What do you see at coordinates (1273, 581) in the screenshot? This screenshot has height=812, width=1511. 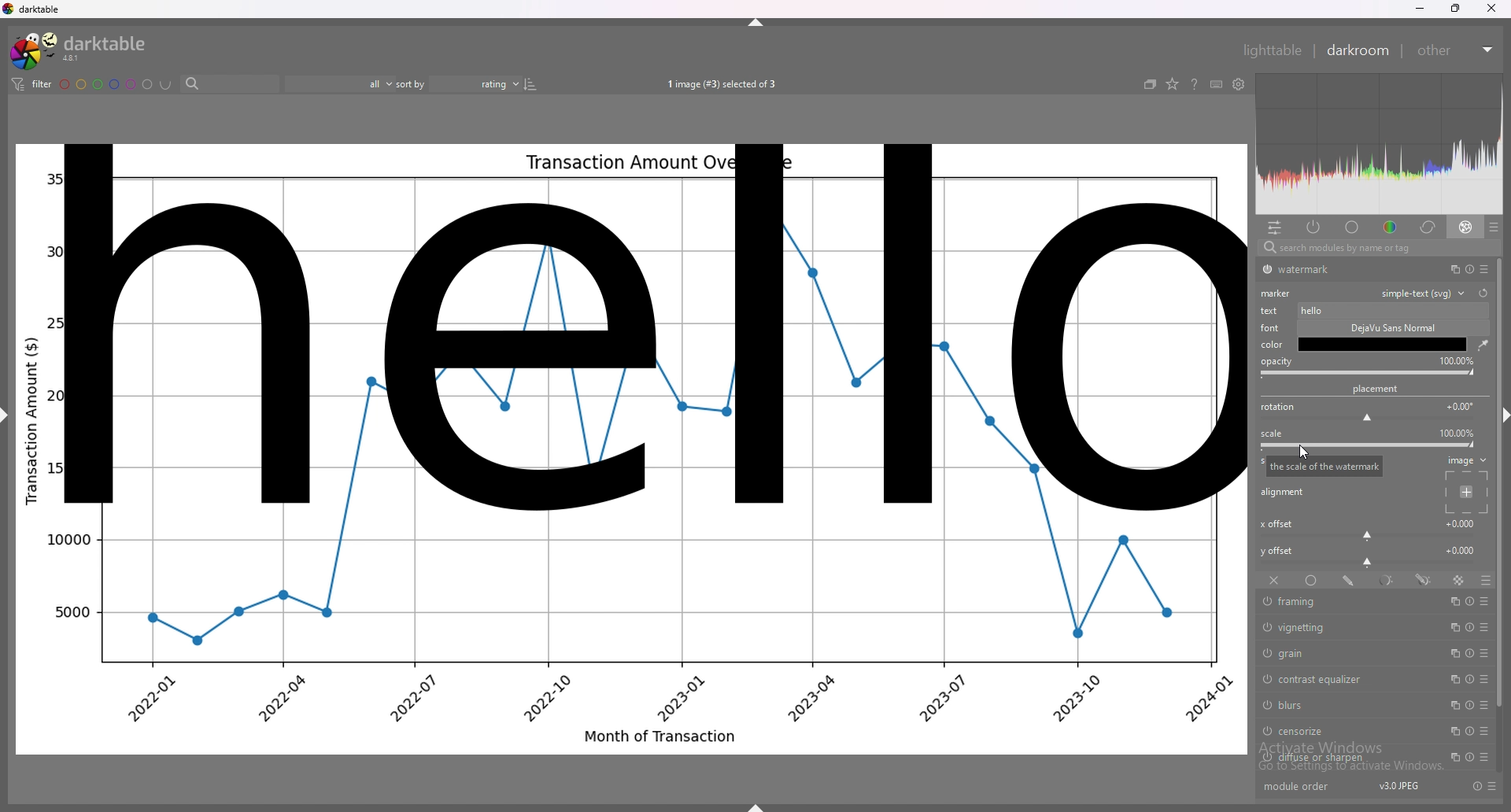 I see `off` at bounding box center [1273, 581].